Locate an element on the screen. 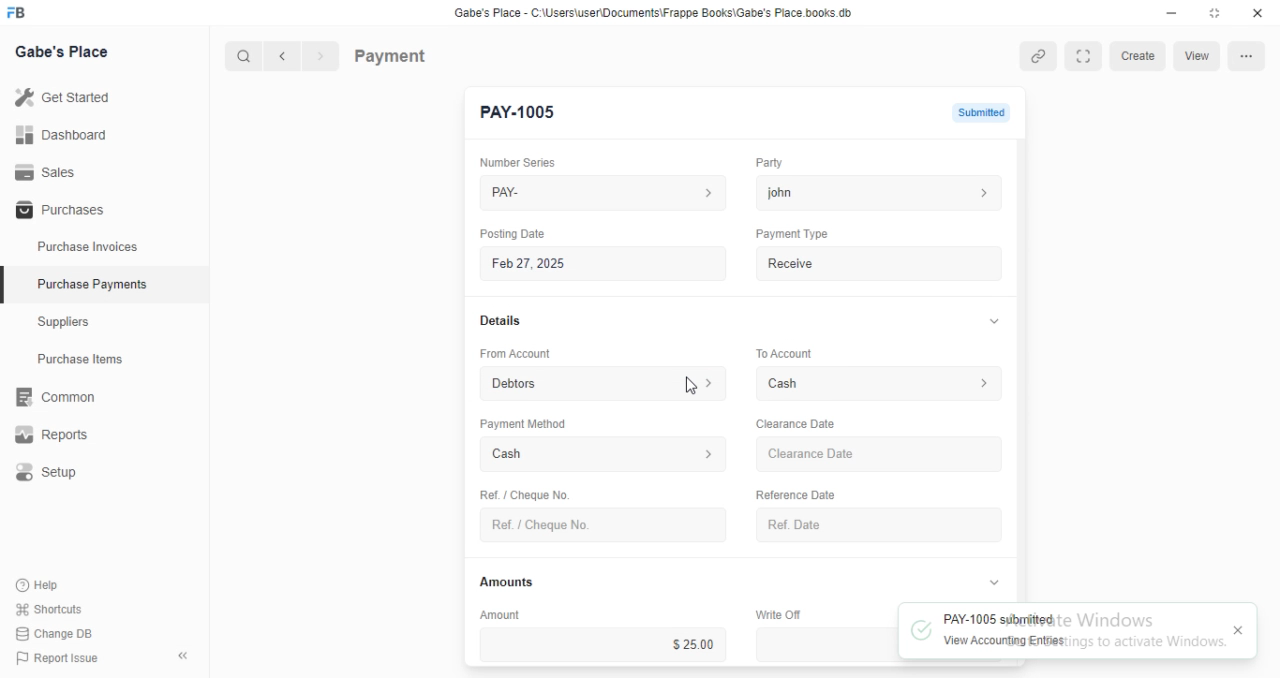 Image resolution: width=1280 pixels, height=678 pixels. Help is located at coordinates (40, 586).